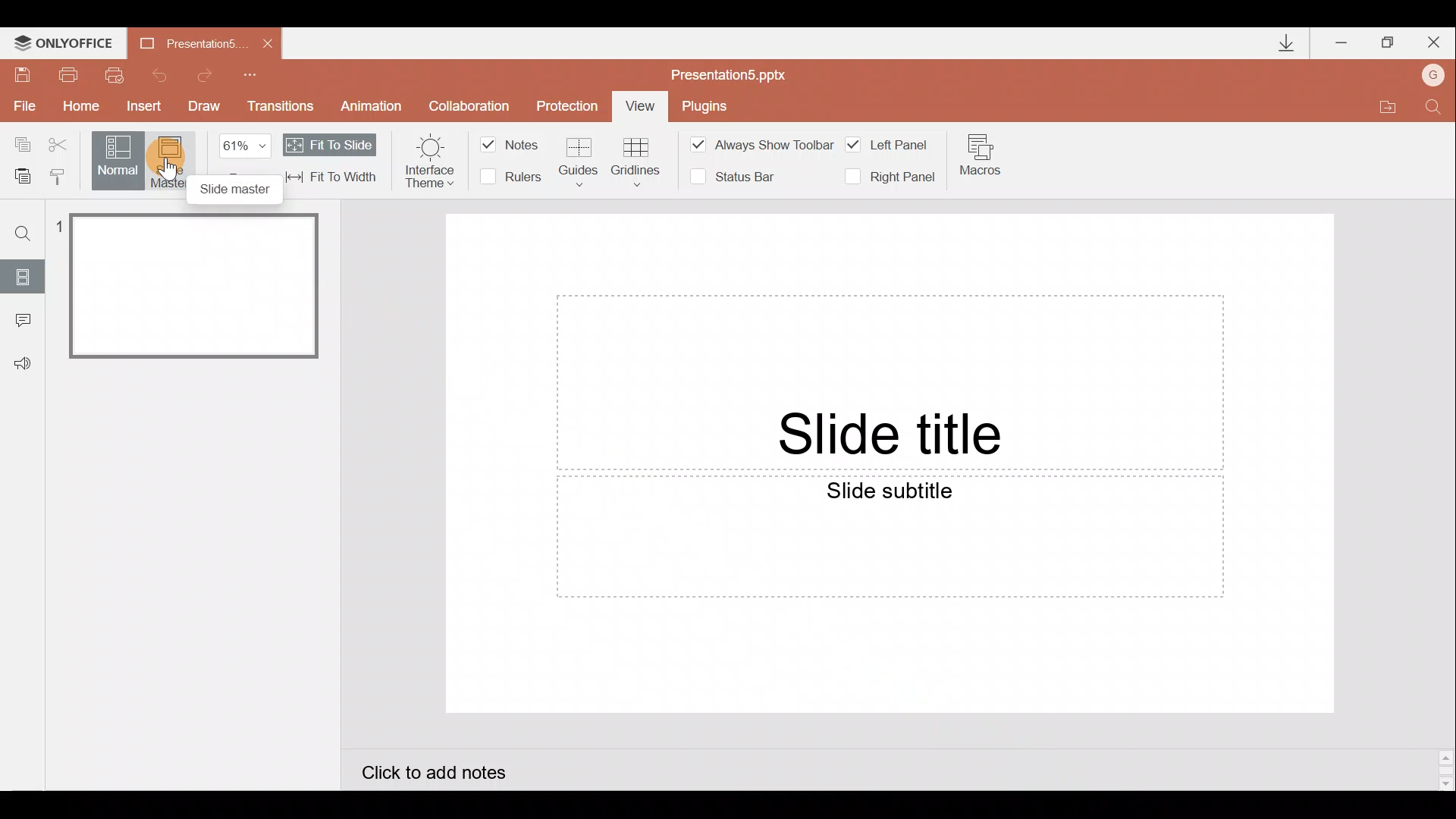 The image size is (1456, 819). What do you see at coordinates (287, 109) in the screenshot?
I see `Transitions` at bounding box center [287, 109].